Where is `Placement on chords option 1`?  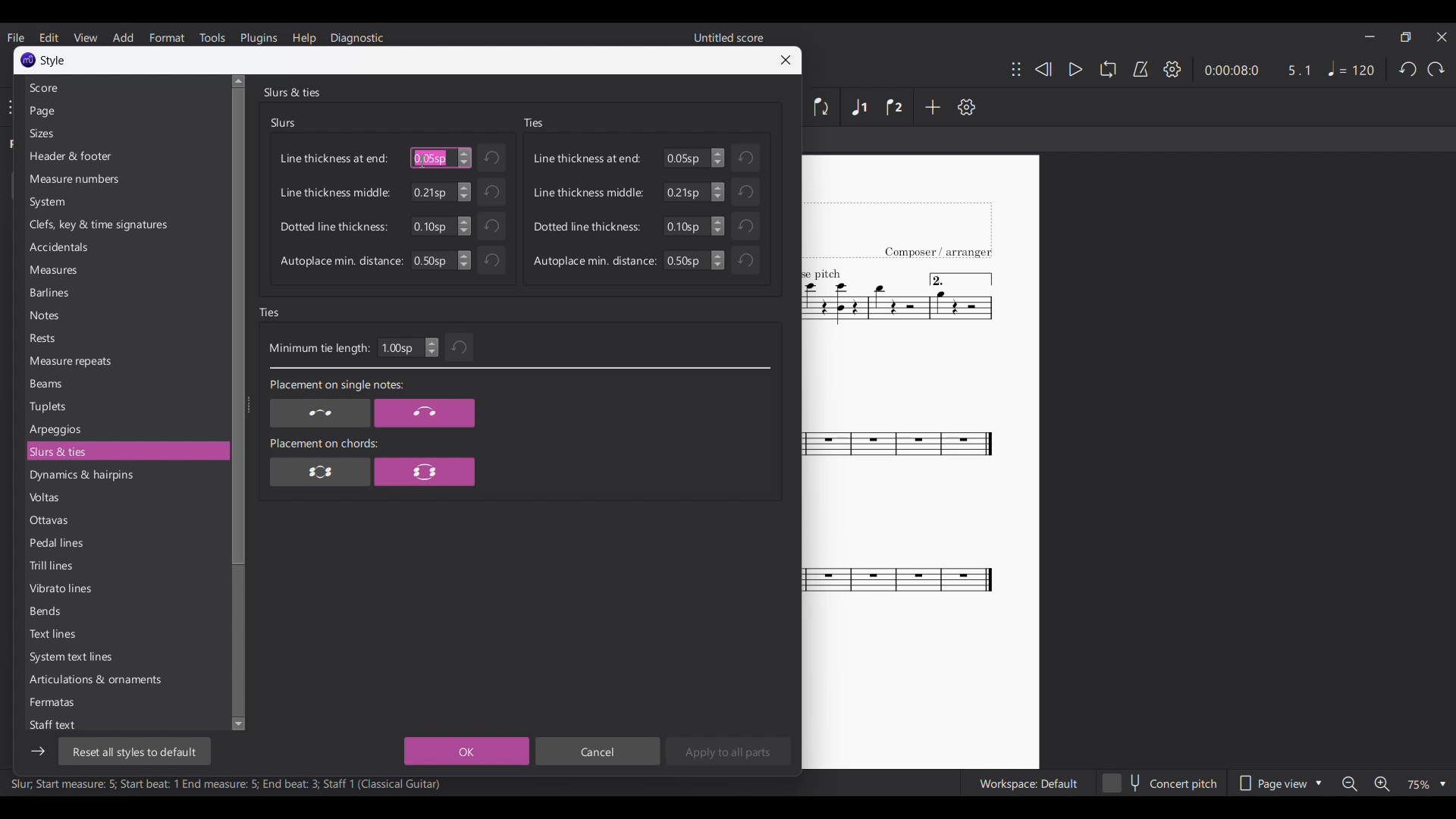 Placement on chords option 1 is located at coordinates (321, 471).